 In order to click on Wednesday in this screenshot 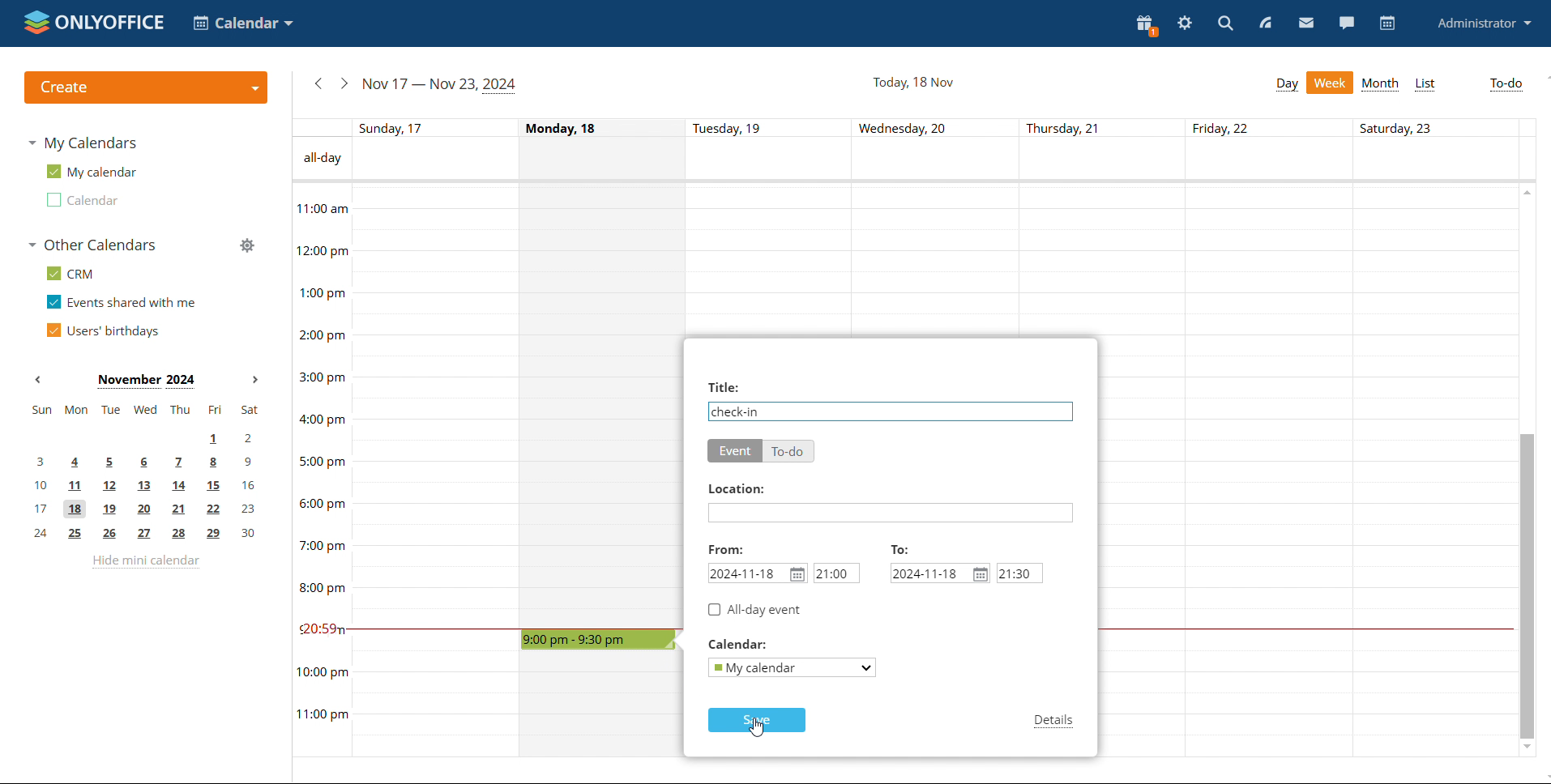, I will do `click(601, 705)`.